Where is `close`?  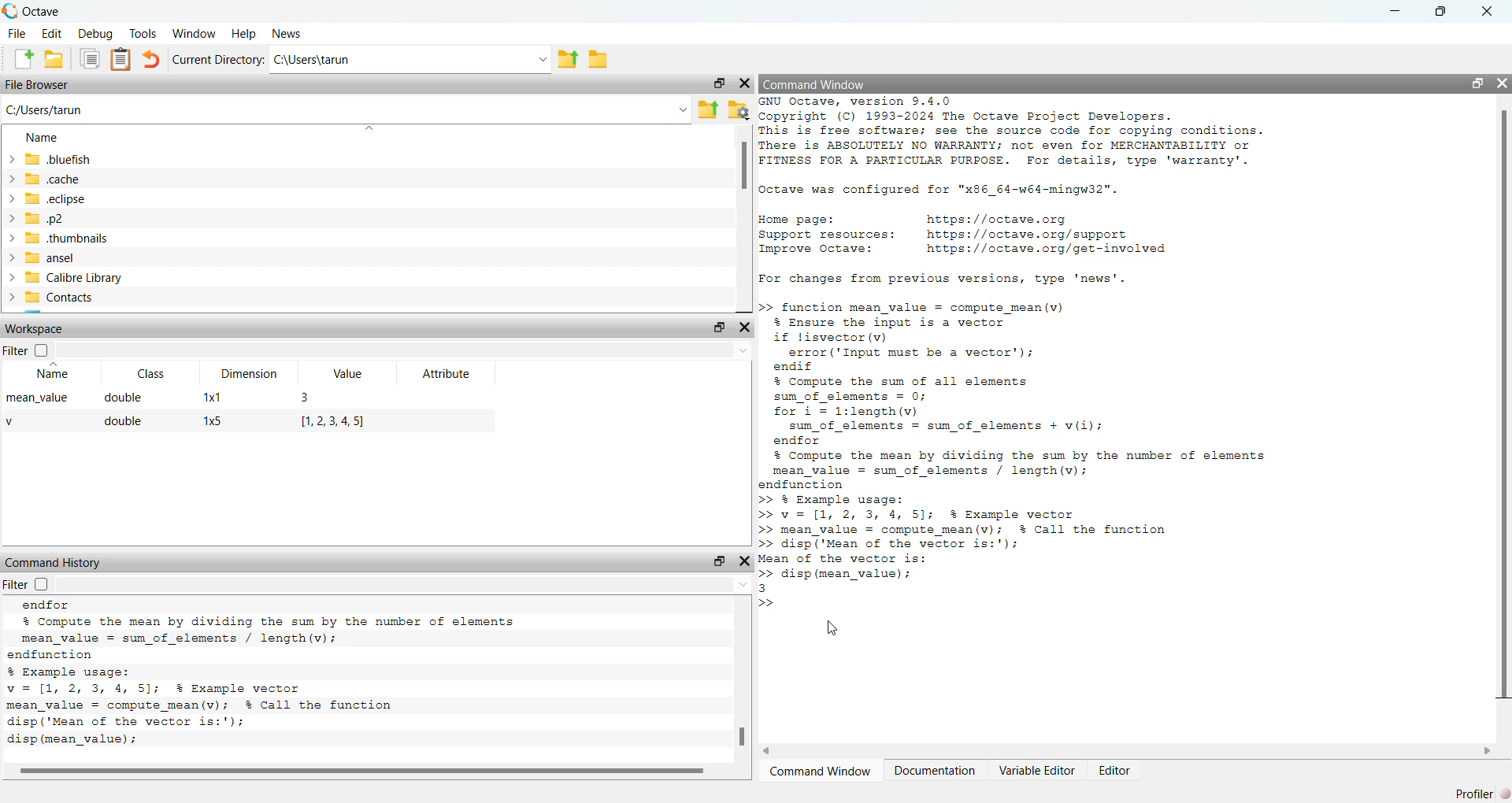 close is located at coordinates (1502, 83).